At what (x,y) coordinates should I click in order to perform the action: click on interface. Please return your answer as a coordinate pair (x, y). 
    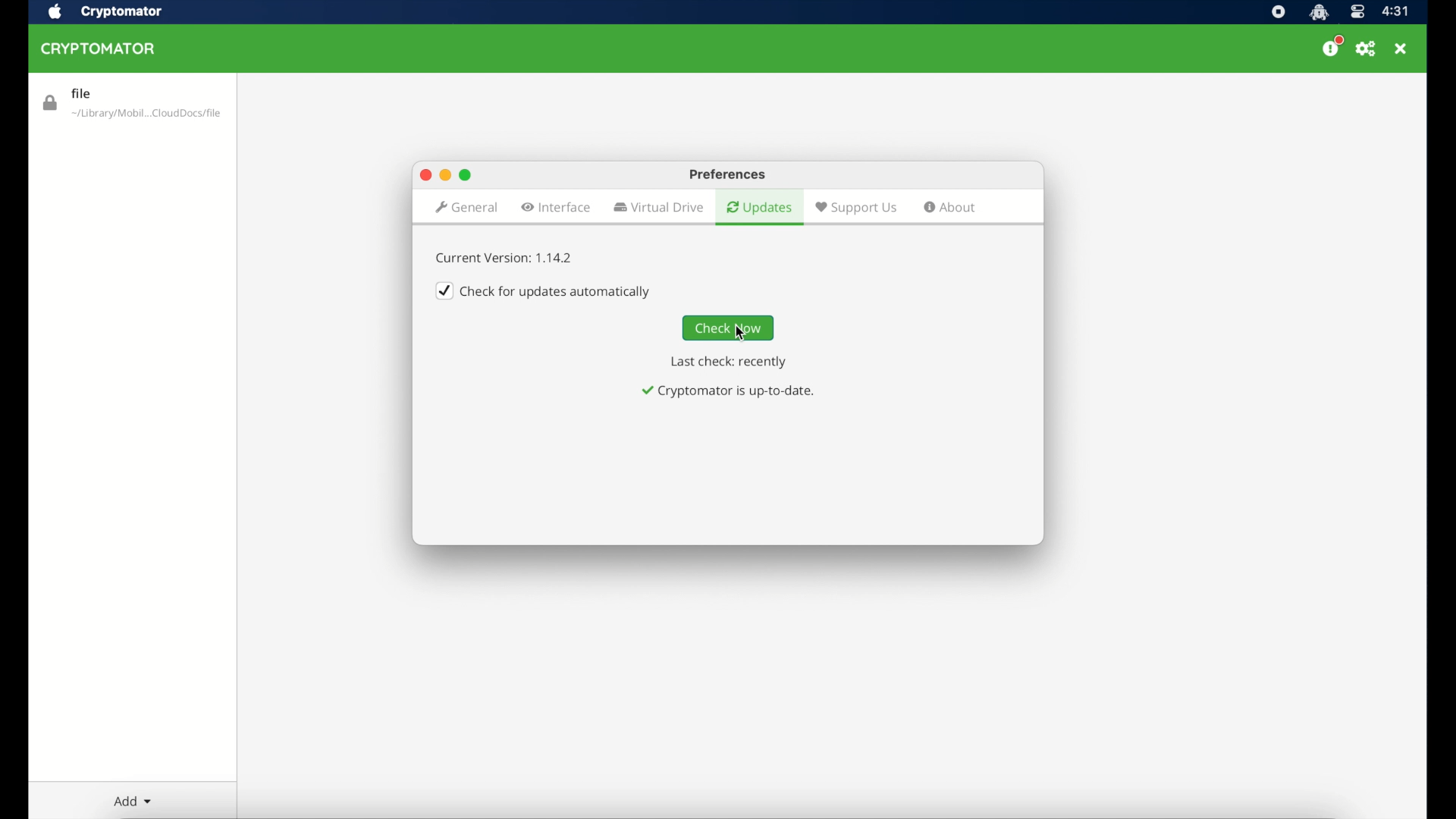
    Looking at the image, I should click on (556, 207).